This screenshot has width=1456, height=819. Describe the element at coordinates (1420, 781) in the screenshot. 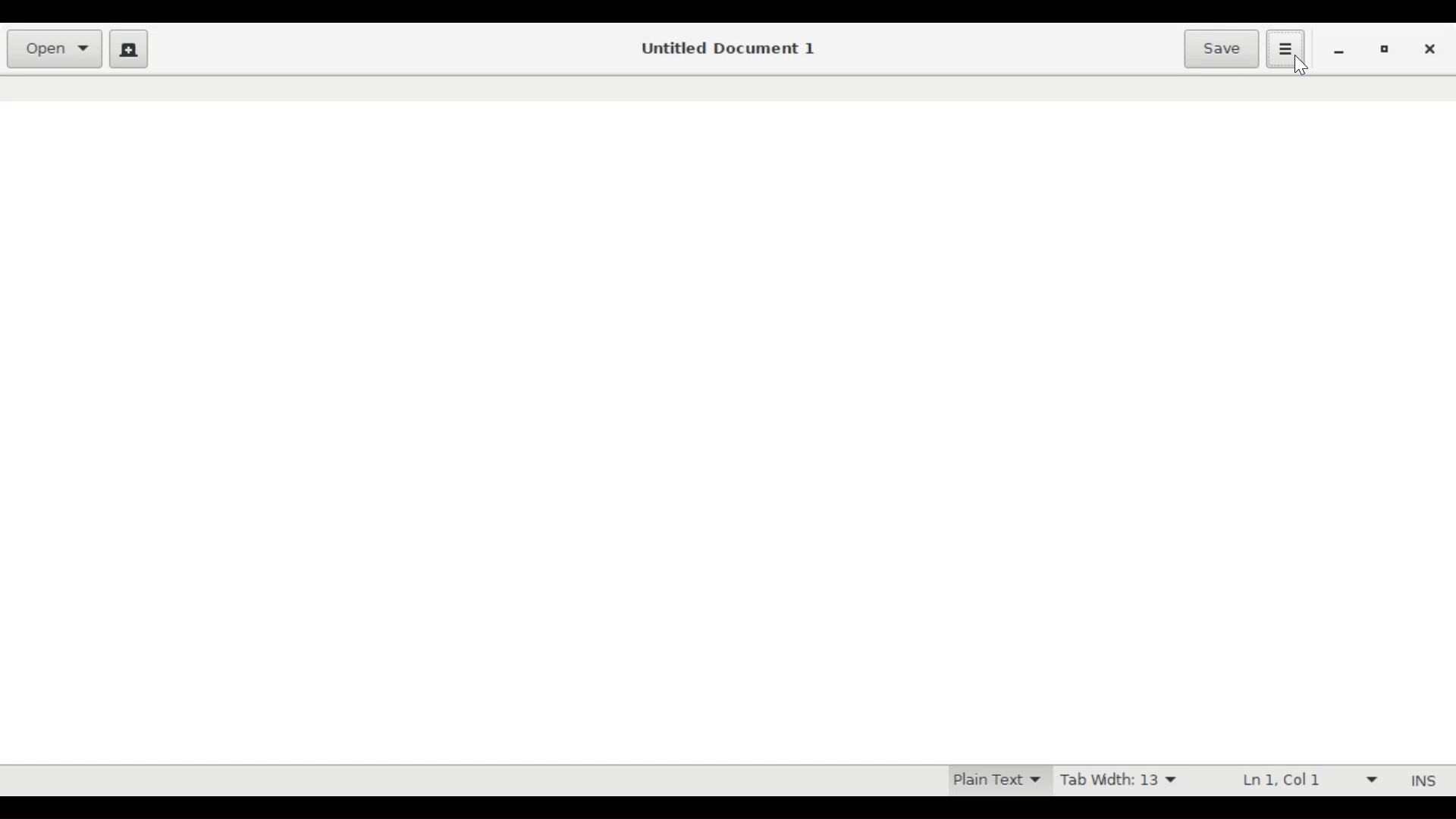

I see `Insert Mode` at that location.